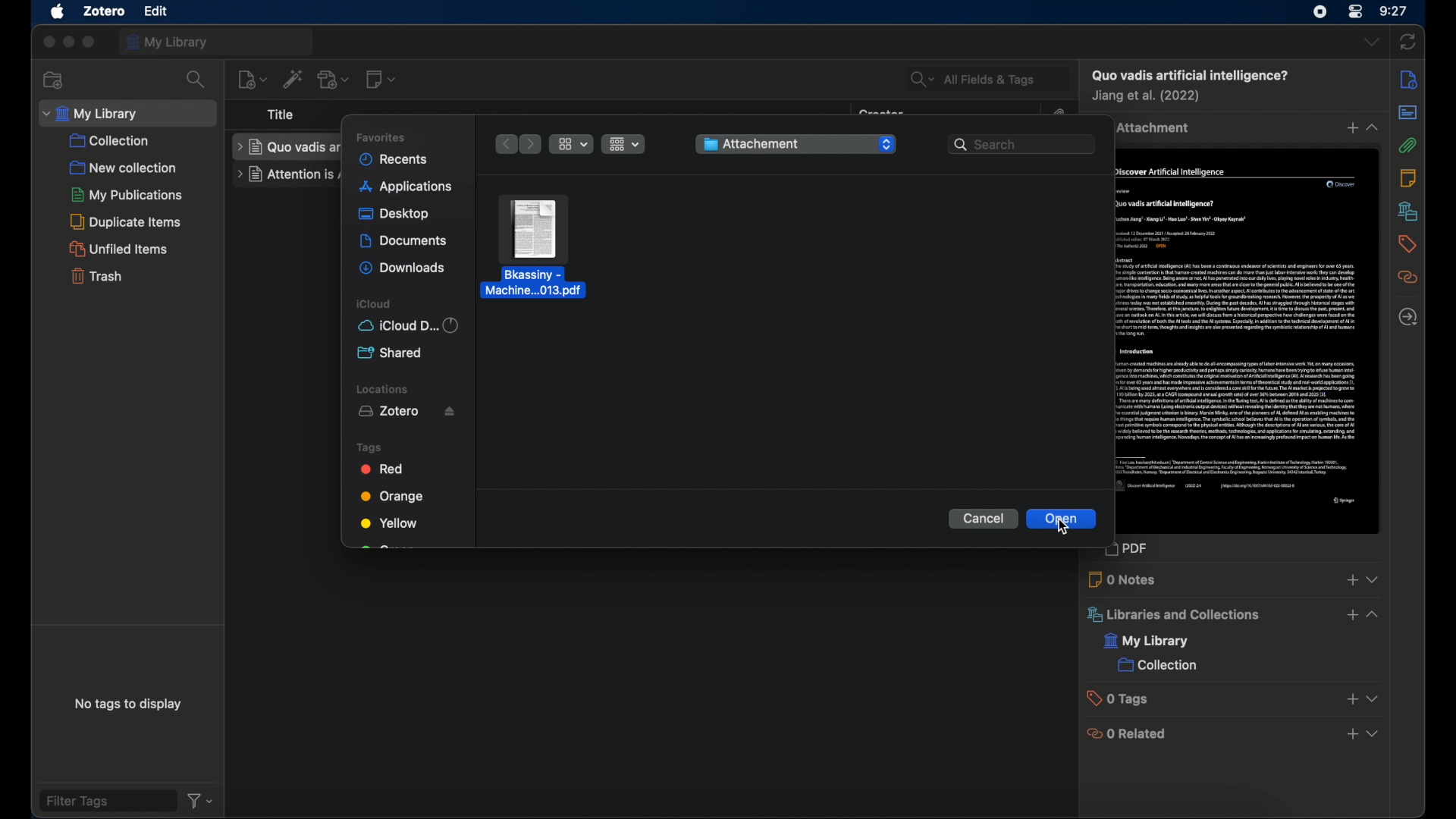  I want to click on trash, so click(96, 278).